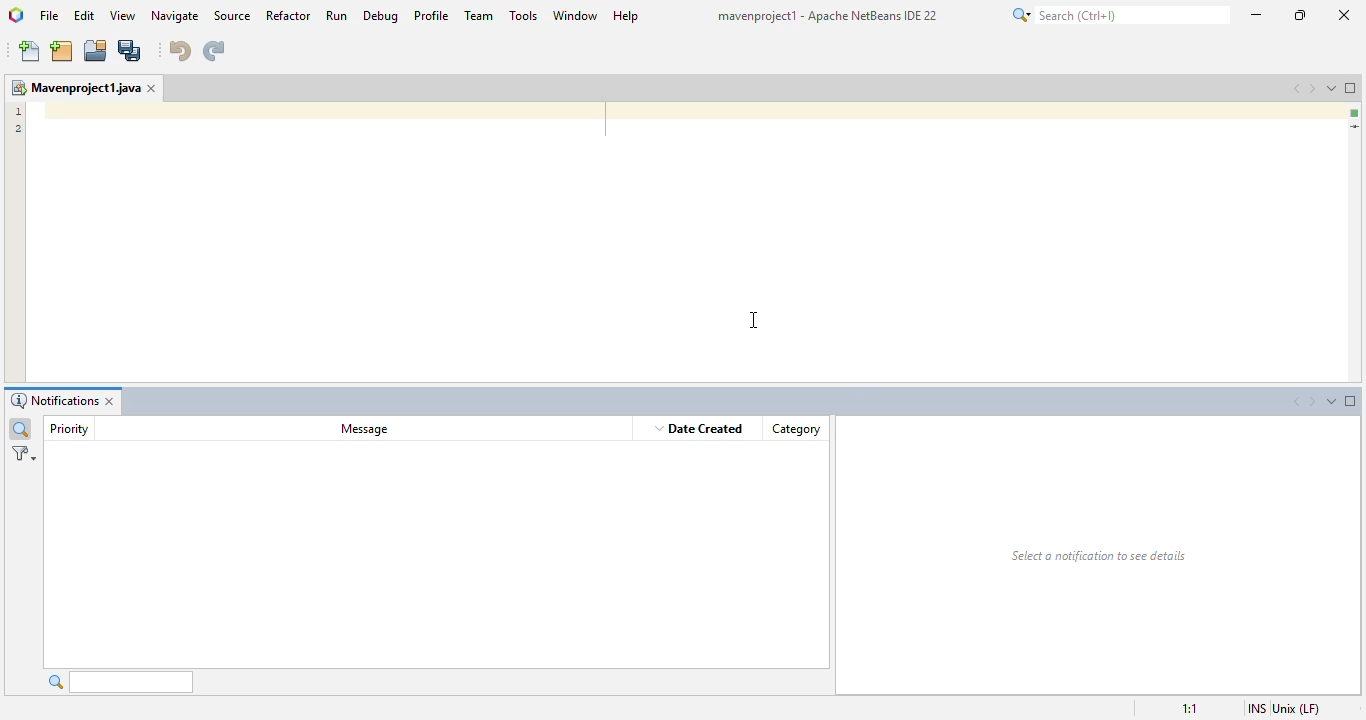 Image resolution: width=1366 pixels, height=720 pixels. What do you see at coordinates (130, 52) in the screenshot?
I see `save all` at bounding box center [130, 52].